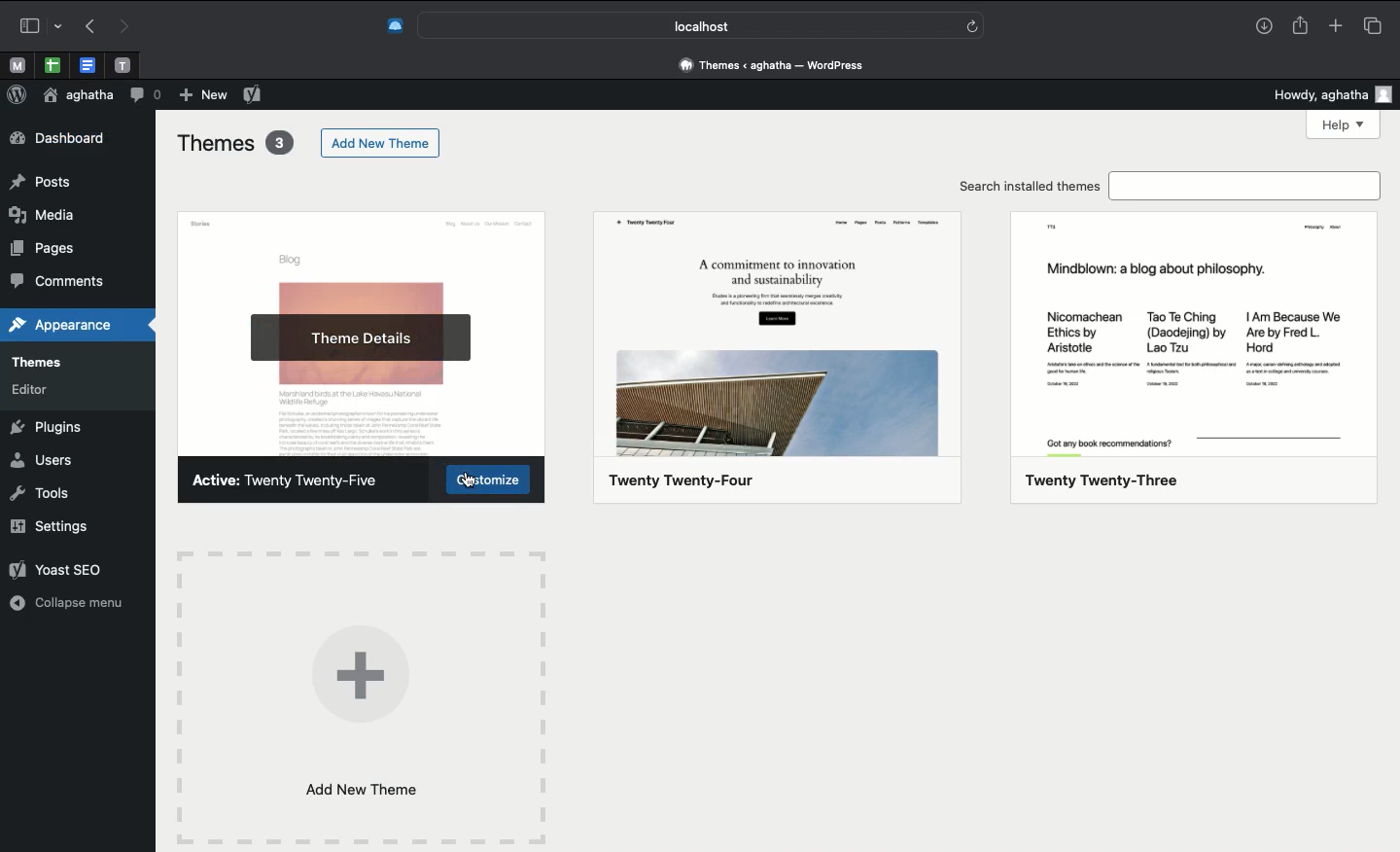  What do you see at coordinates (218, 143) in the screenshot?
I see `Themes` at bounding box center [218, 143].